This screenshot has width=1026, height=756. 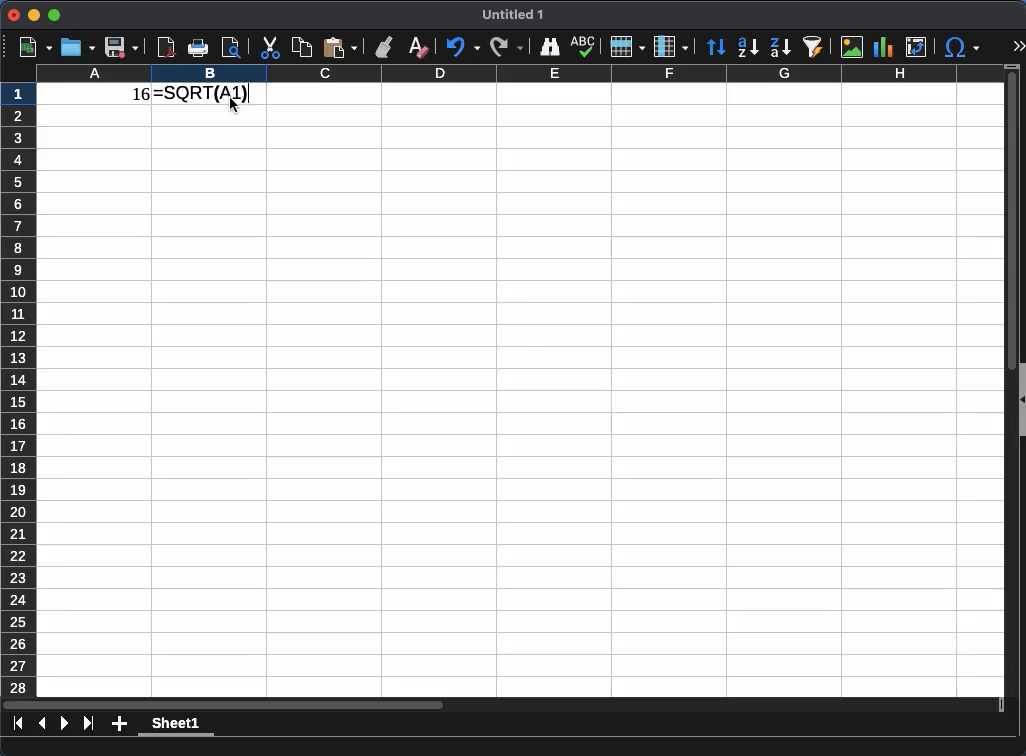 I want to click on rows, so click(x=628, y=47).